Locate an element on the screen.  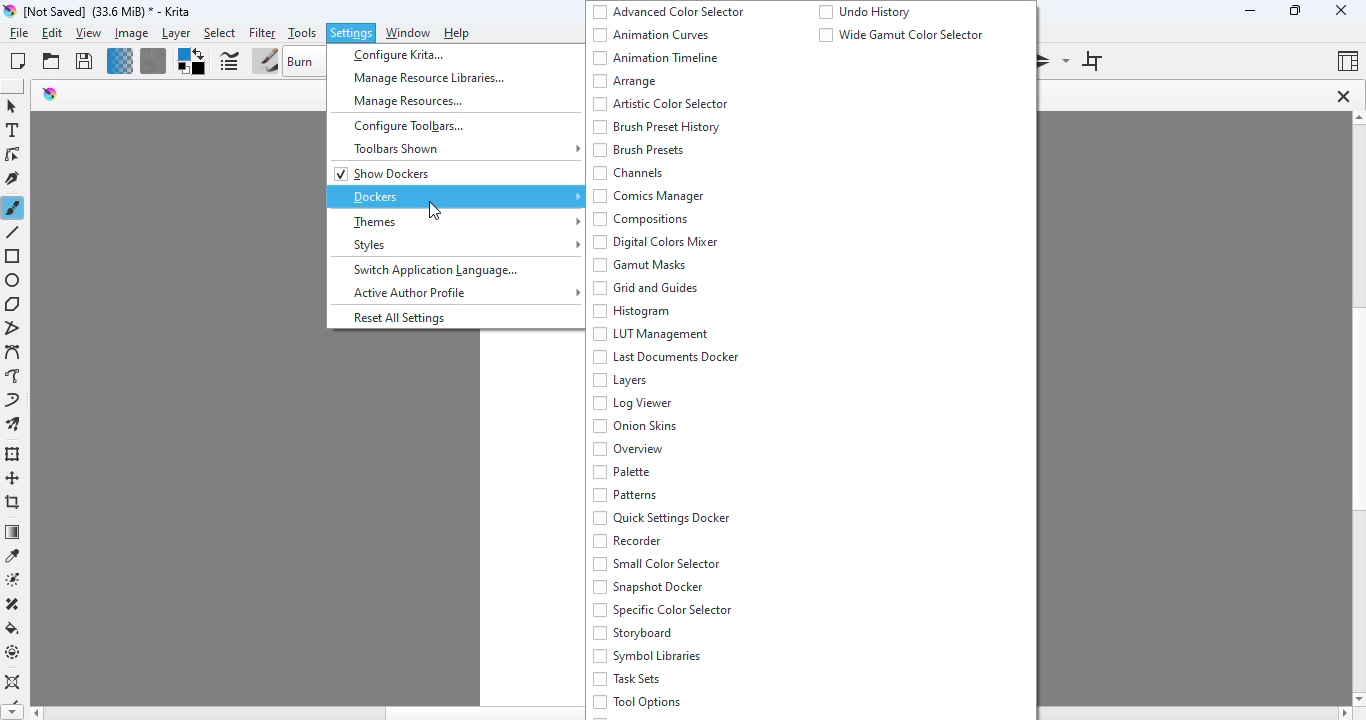
tool options is located at coordinates (637, 702).